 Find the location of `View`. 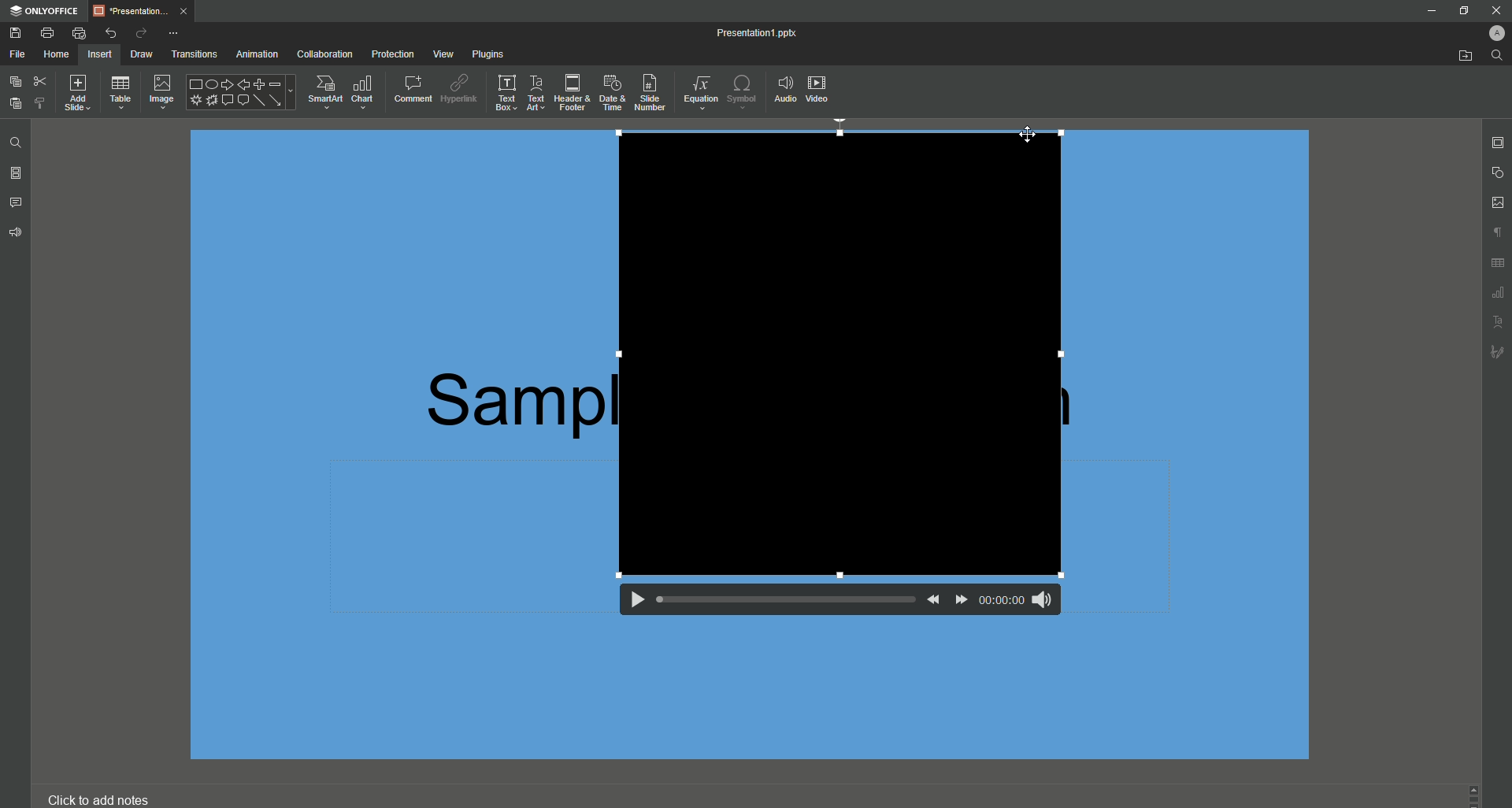

View is located at coordinates (444, 54).